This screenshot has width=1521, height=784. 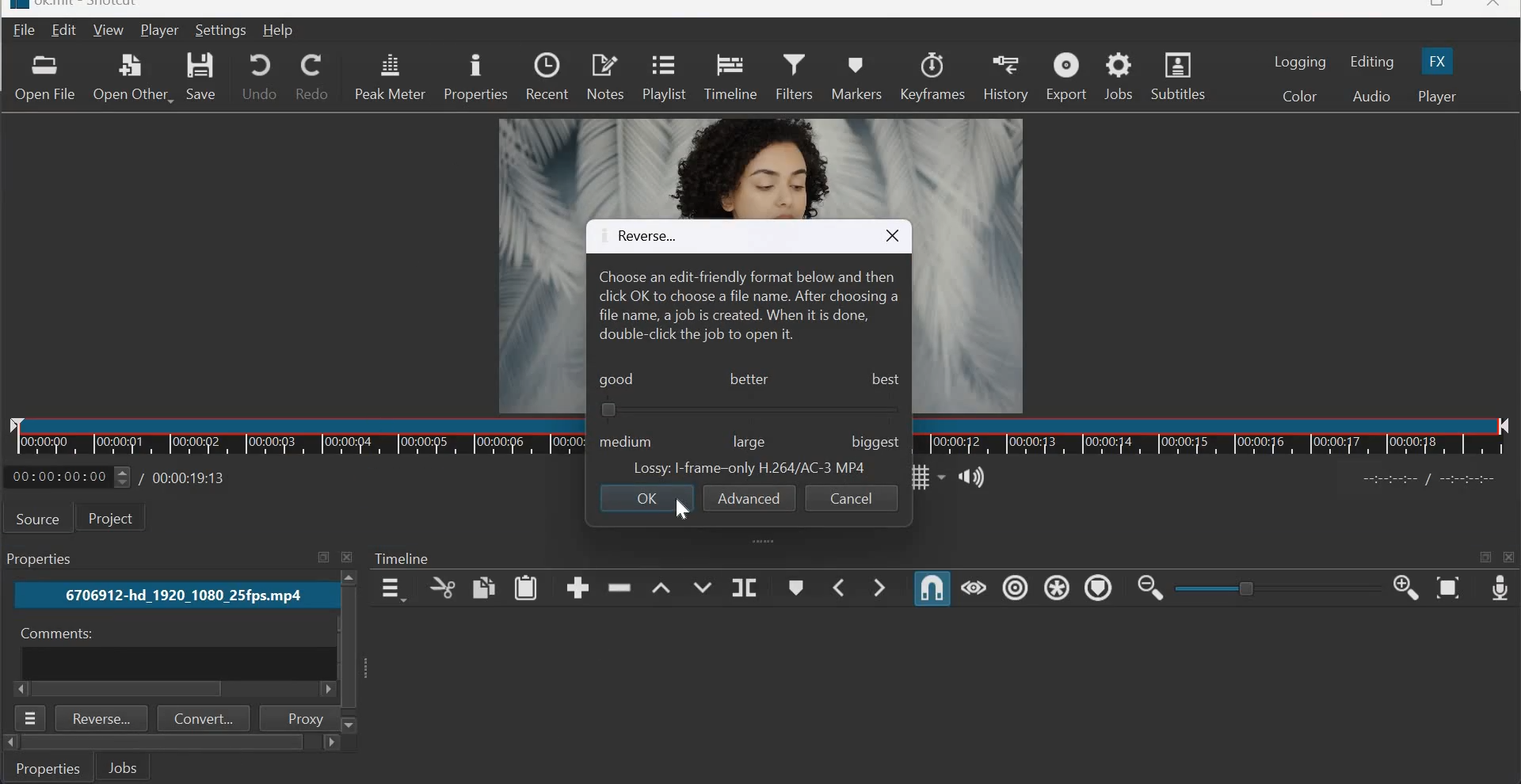 What do you see at coordinates (882, 586) in the screenshot?
I see `Next Marker` at bounding box center [882, 586].